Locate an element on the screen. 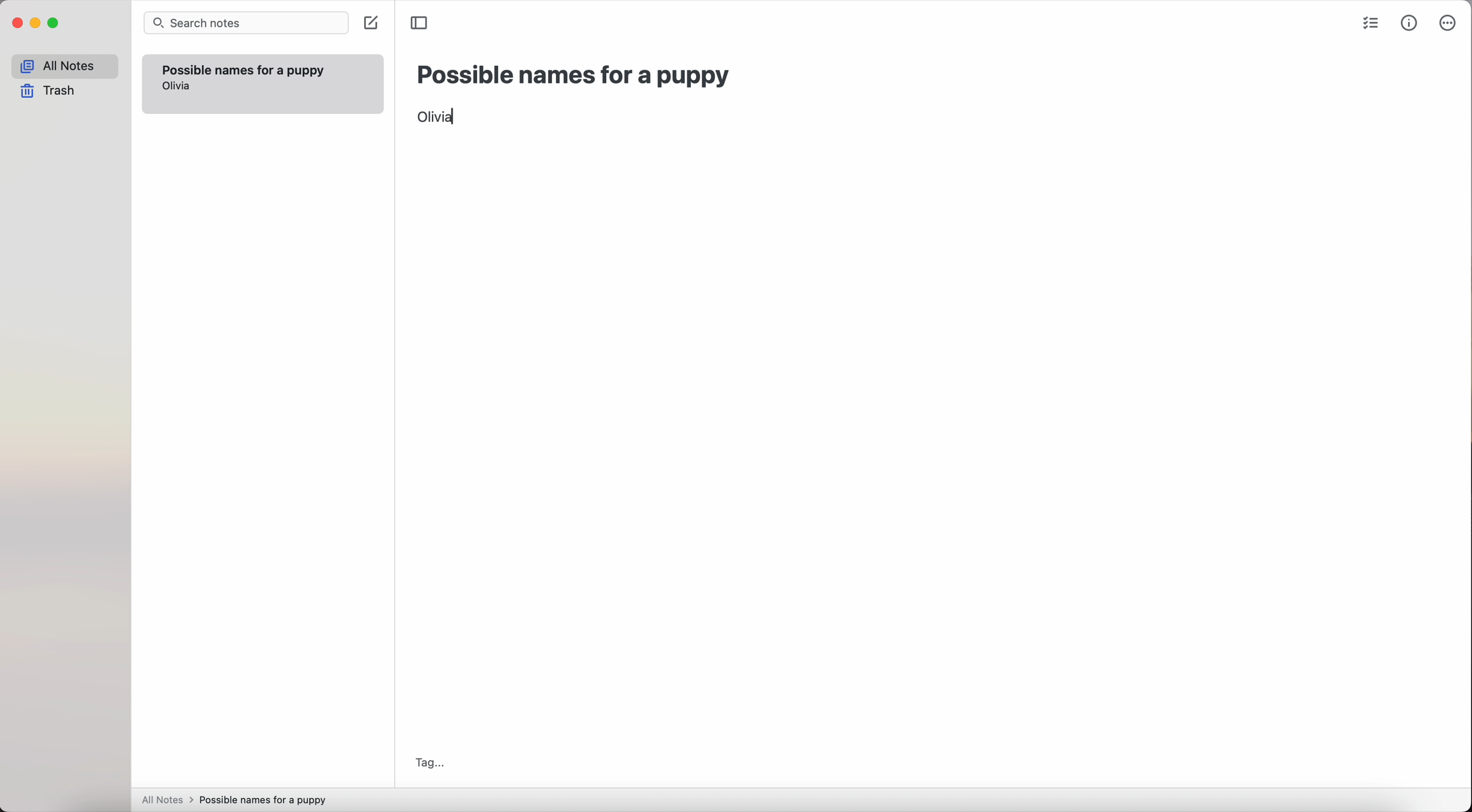 The image size is (1472, 812). toggle sidebar is located at coordinates (421, 22).